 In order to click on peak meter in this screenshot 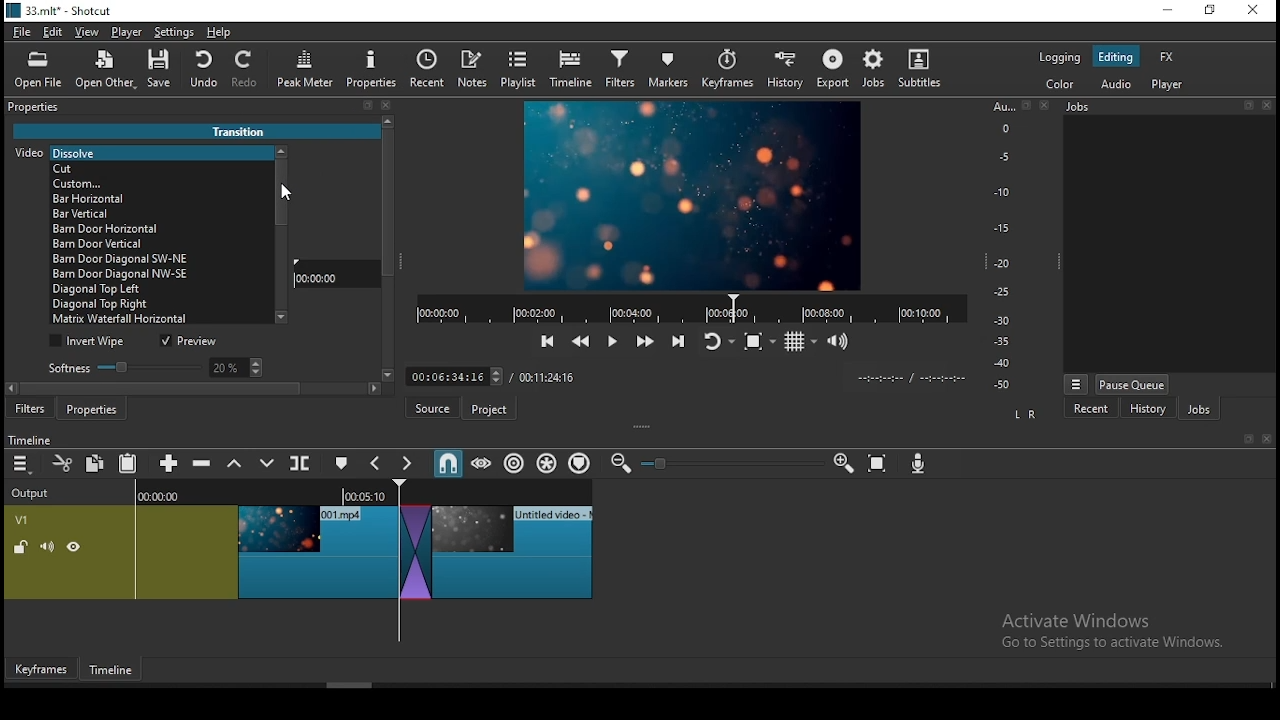, I will do `click(307, 68)`.